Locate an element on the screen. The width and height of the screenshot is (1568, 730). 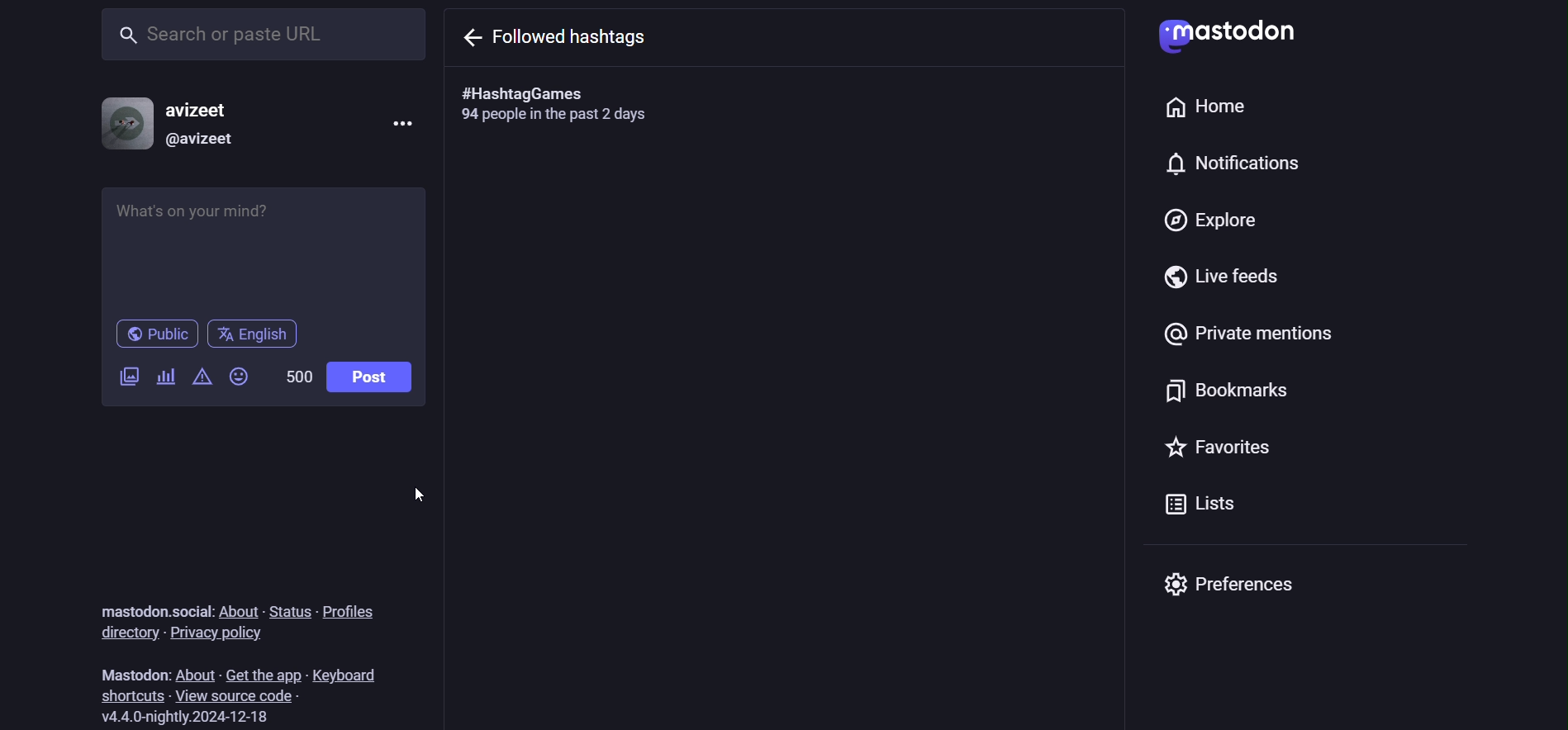
#HashtagGames
94 people in the past 2 days is located at coordinates (577, 107).